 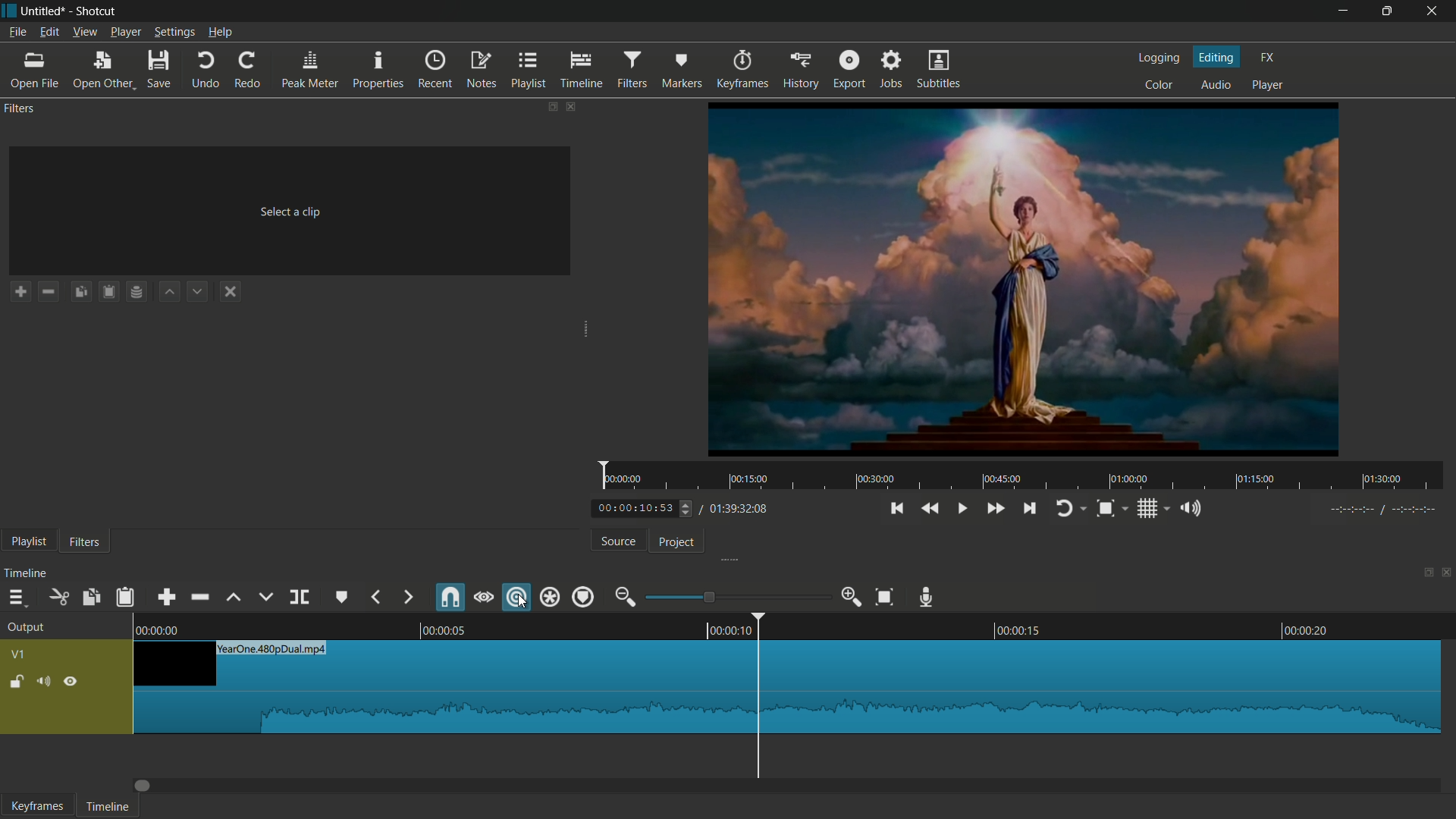 What do you see at coordinates (1147, 510) in the screenshot?
I see `toggle grid` at bounding box center [1147, 510].